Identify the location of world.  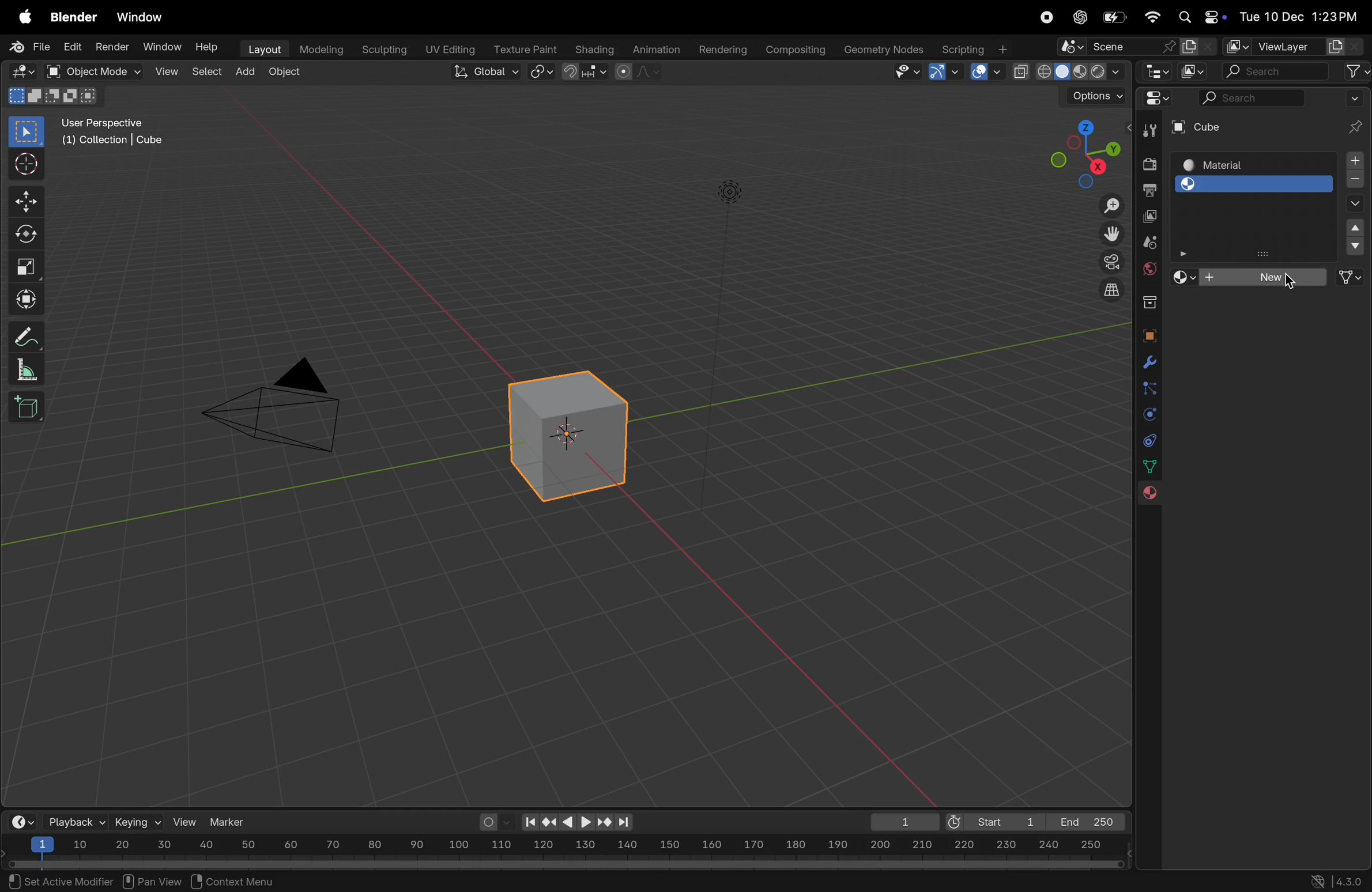
(1149, 267).